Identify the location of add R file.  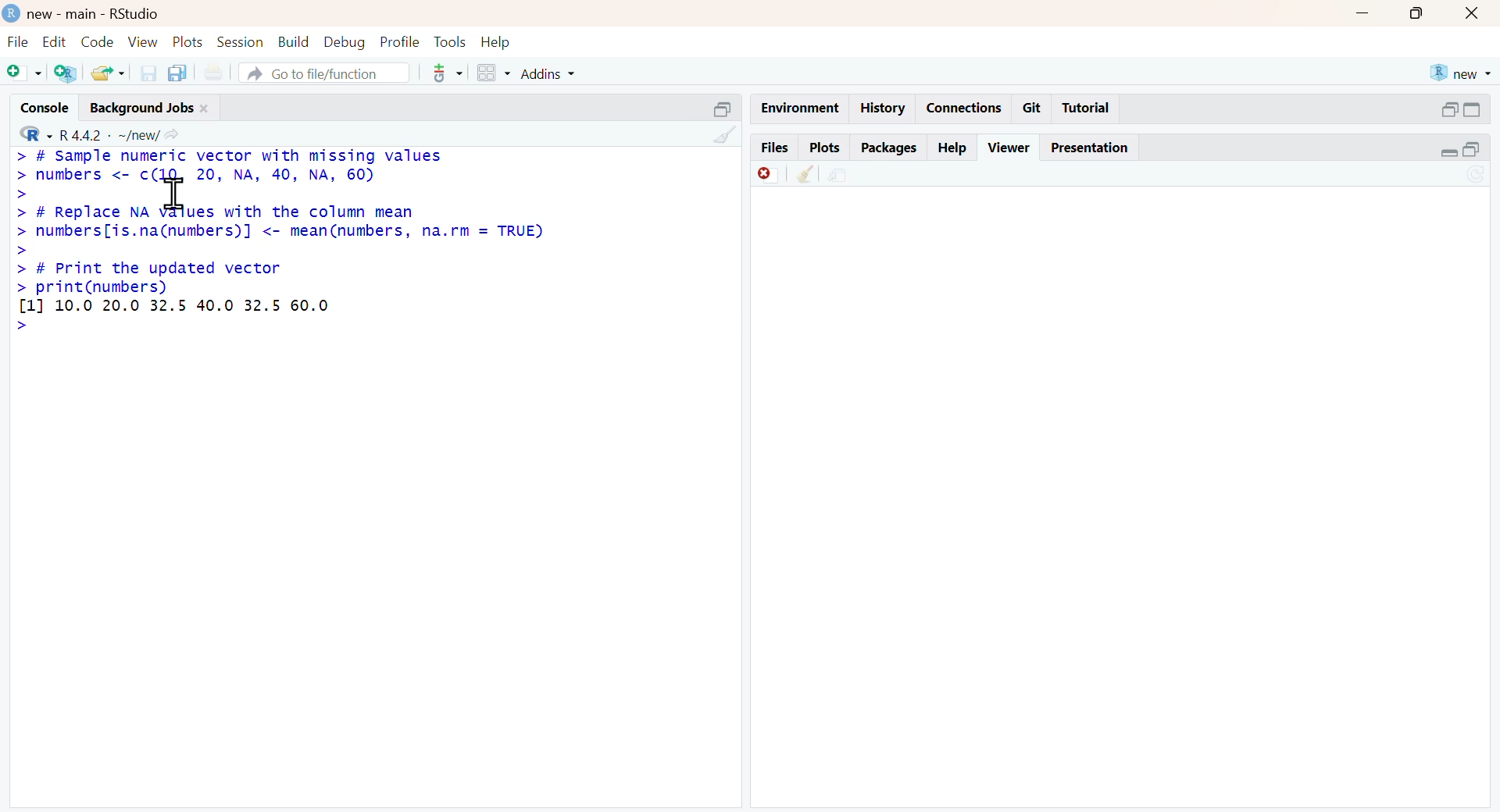
(66, 74).